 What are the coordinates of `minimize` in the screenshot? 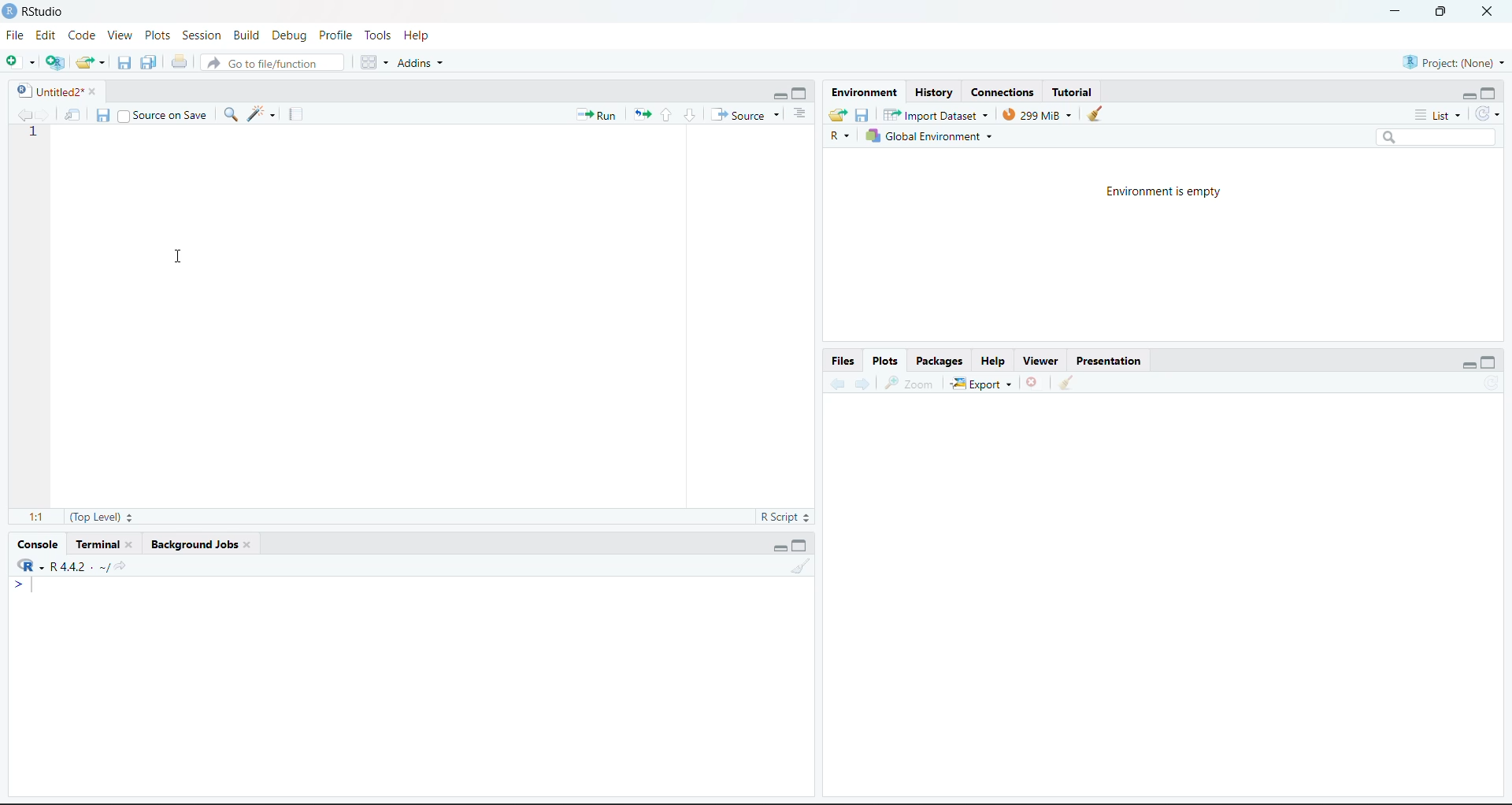 It's located at (1395, 9).